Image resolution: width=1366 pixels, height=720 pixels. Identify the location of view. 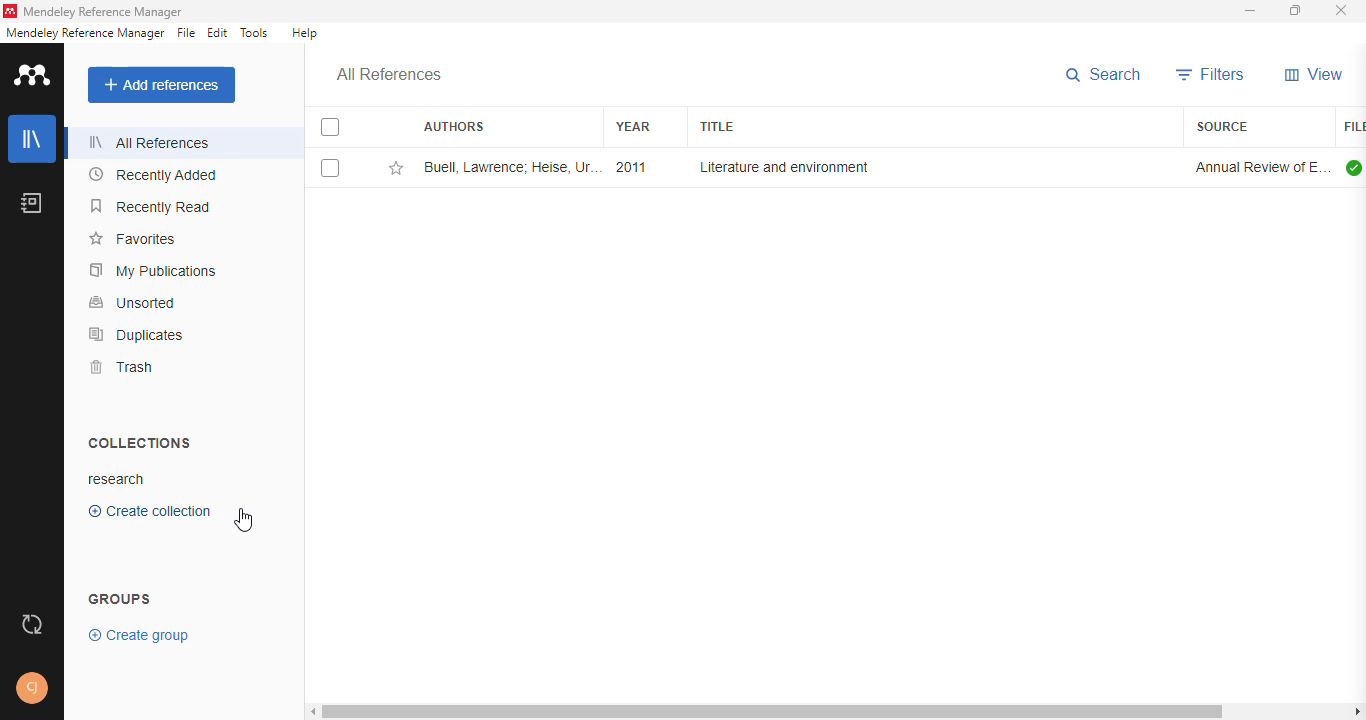
(1315, 74).